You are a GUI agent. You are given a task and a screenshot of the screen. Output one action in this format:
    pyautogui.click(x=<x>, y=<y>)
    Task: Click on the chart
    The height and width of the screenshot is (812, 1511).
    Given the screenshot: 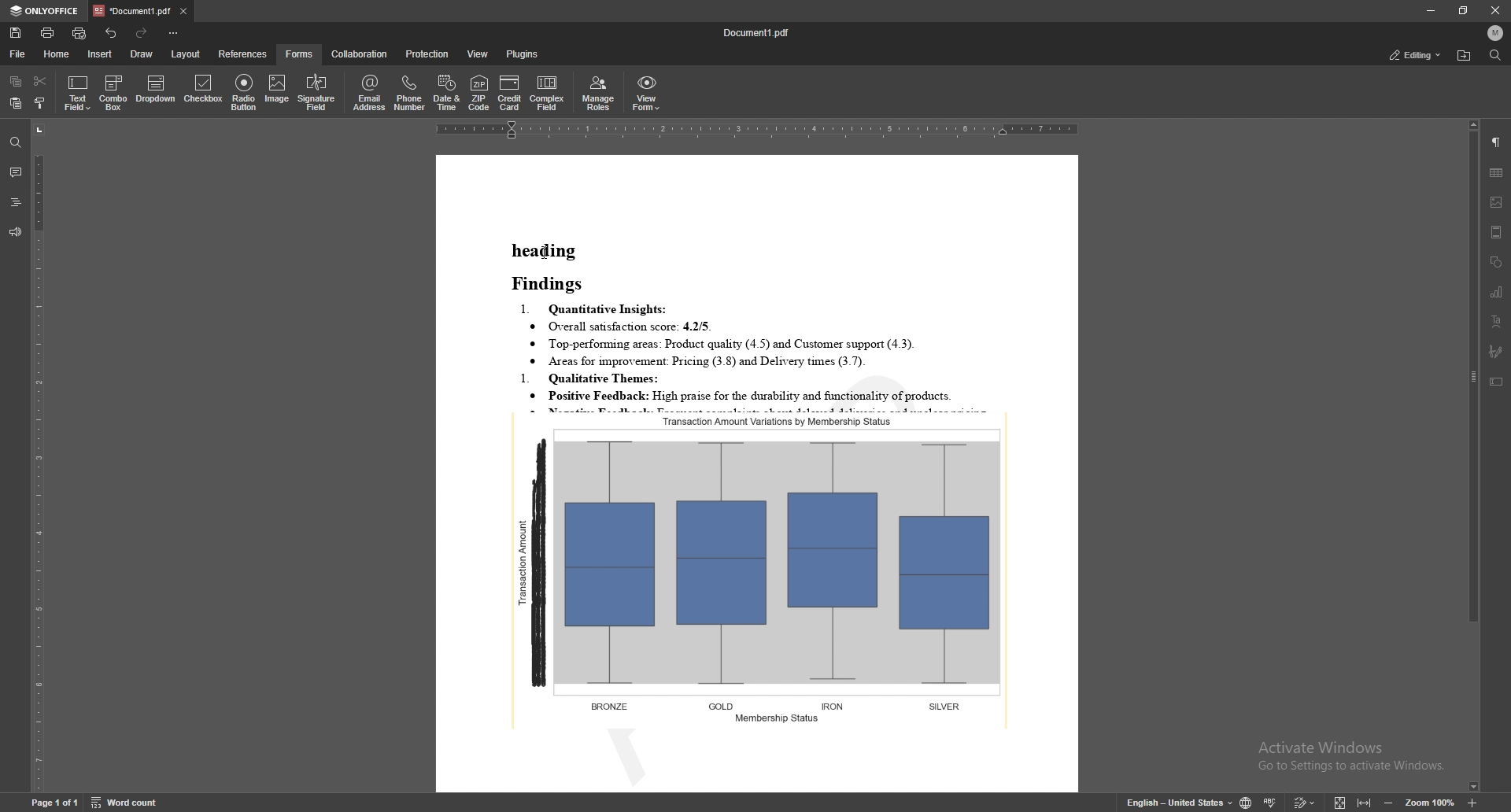 What is the action you would take?
    pyautogui.click(x=1497, y=292)
    